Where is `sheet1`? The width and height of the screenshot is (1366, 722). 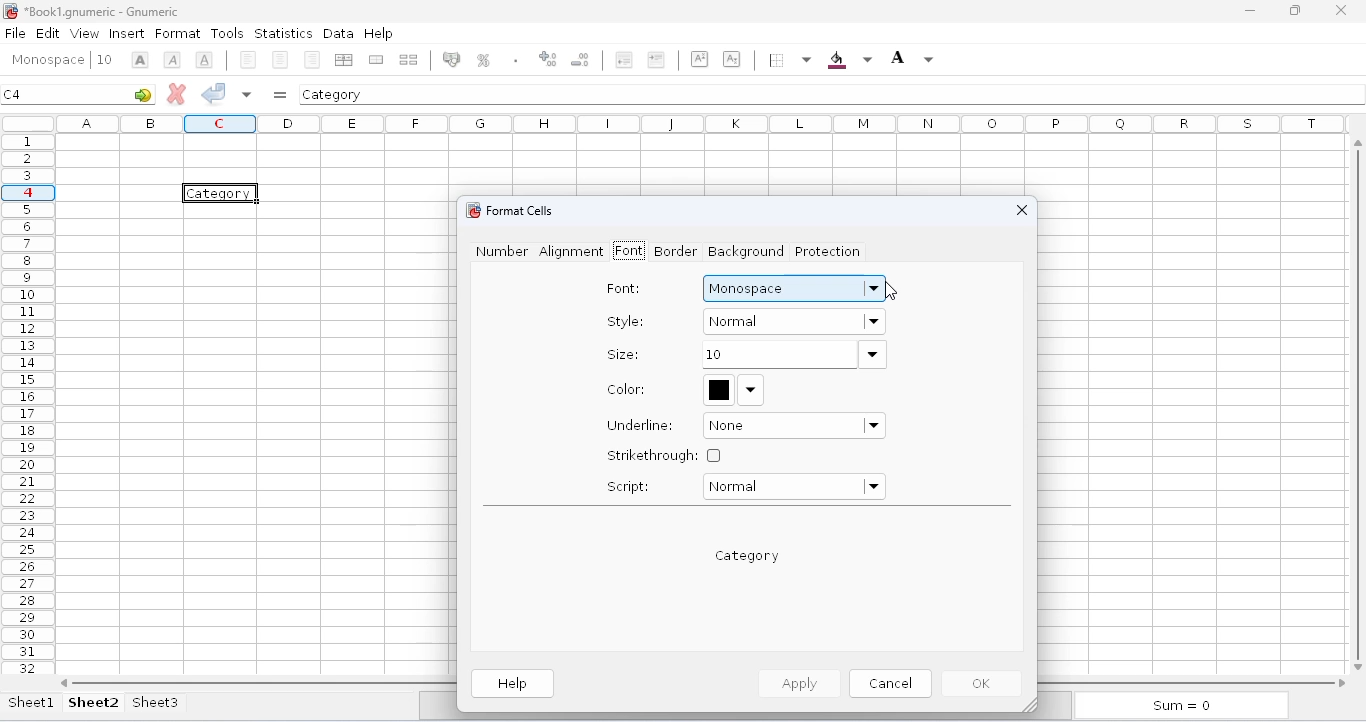
sheet1 is located at coordinates (32, 702).